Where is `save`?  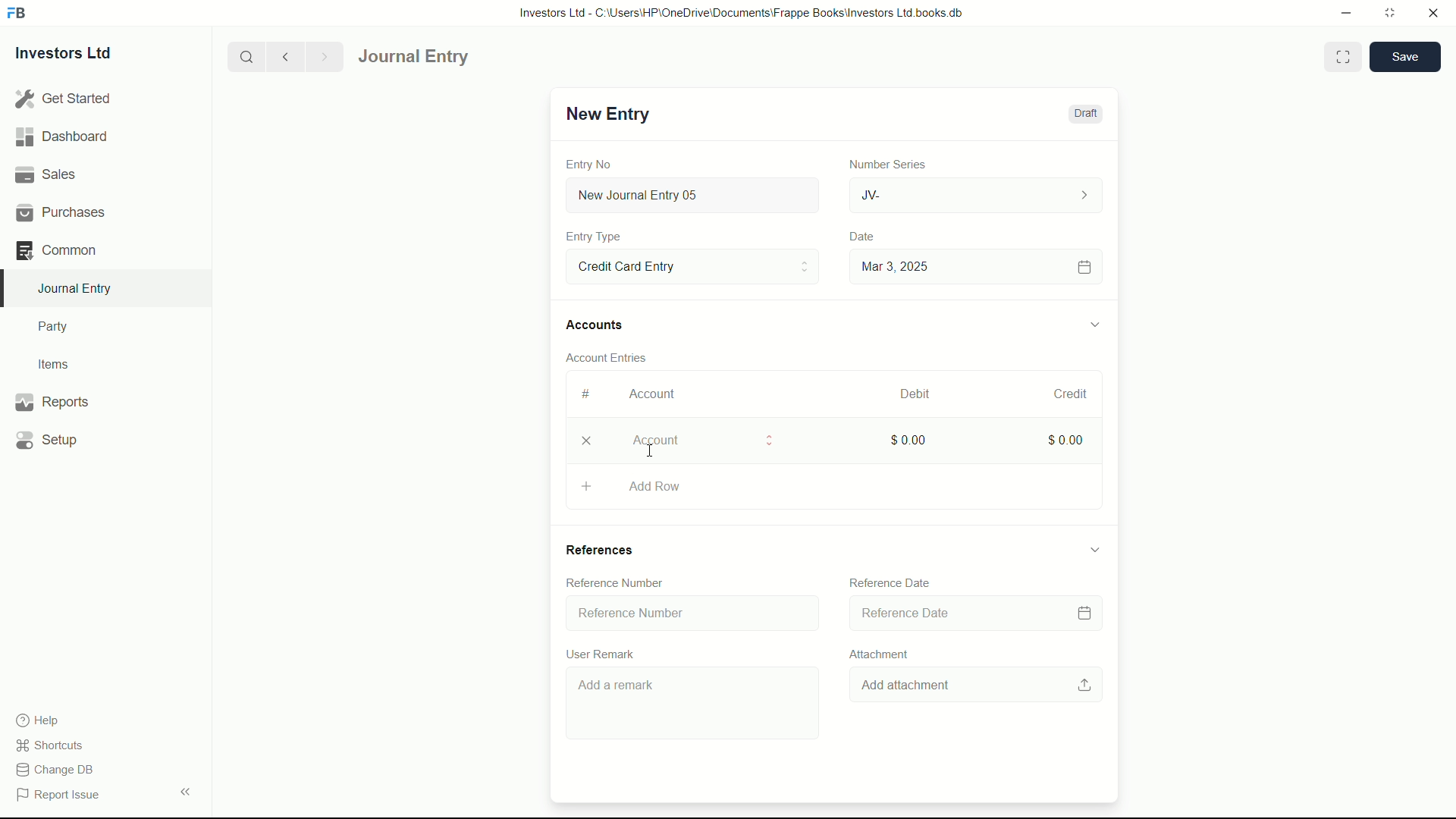
save is located at coordinates (1406, 57).